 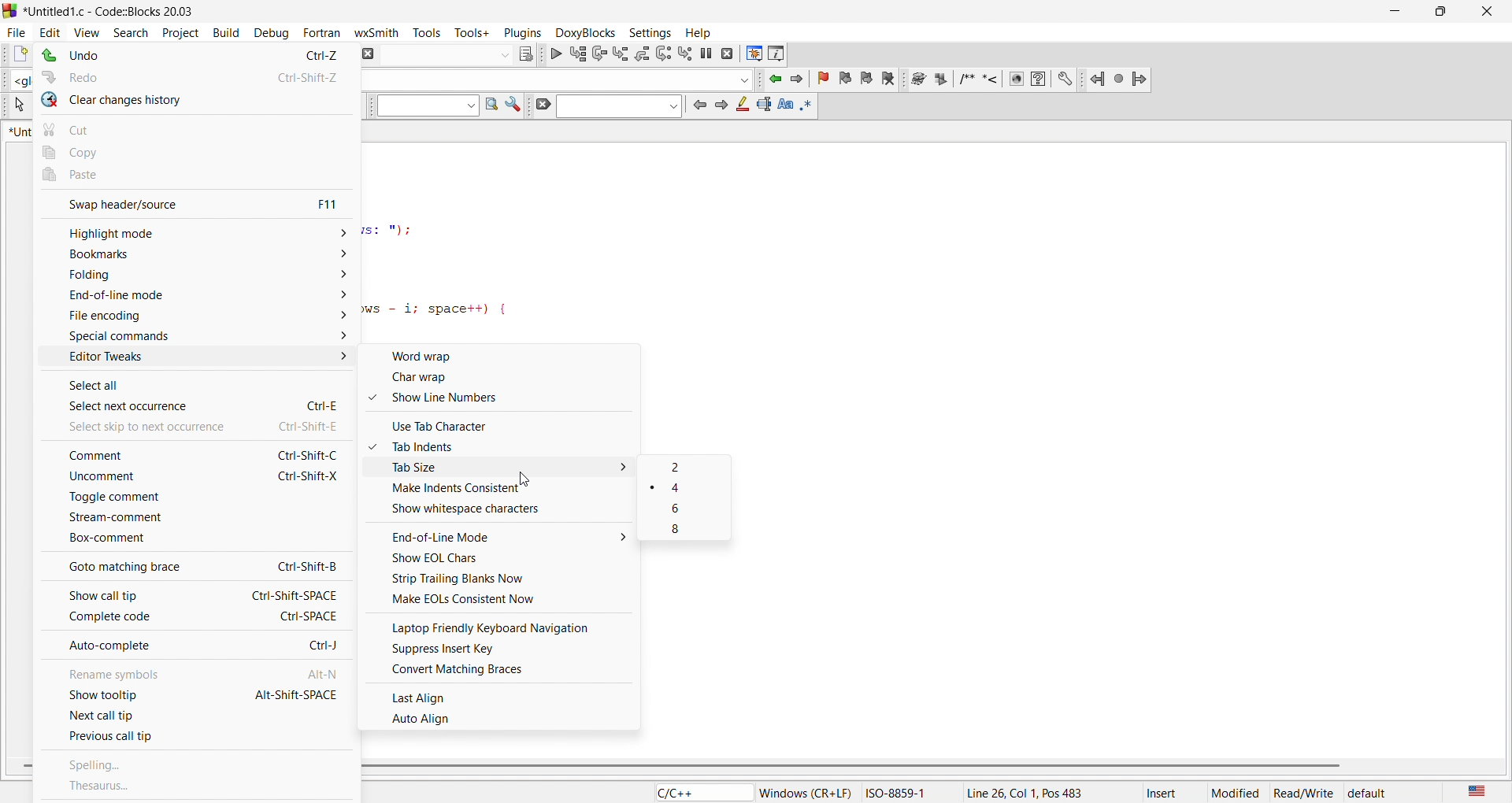 I want to click on special commands , so click(x=191, y=337).